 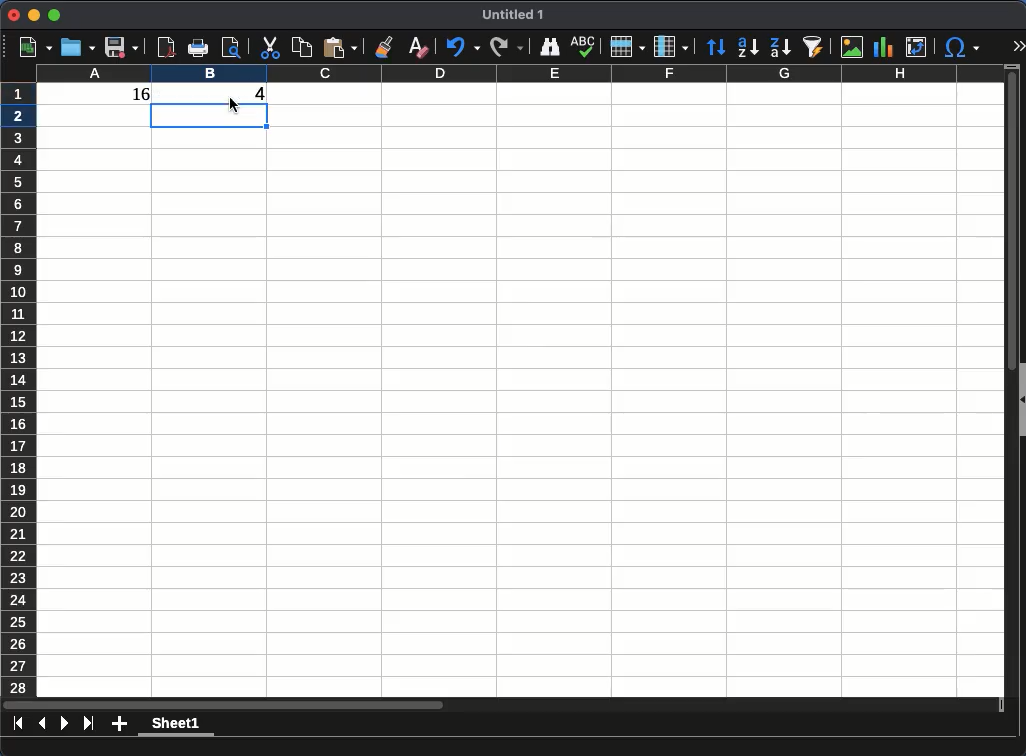 I want to click on last sheet, so click(x=88, y=723).